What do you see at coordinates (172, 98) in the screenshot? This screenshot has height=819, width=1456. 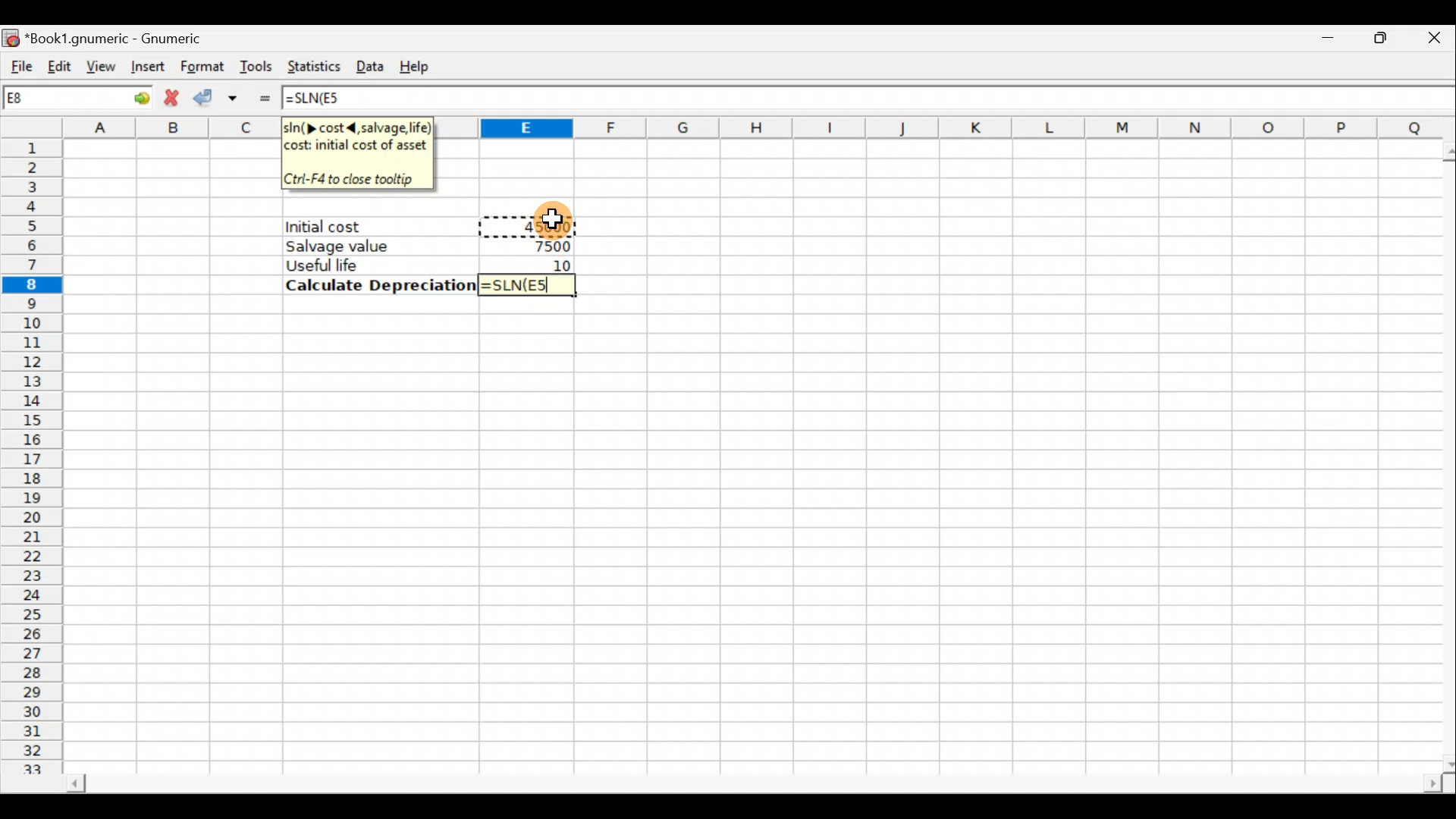 I see `Cancel change` at bounding box center [172, 98].